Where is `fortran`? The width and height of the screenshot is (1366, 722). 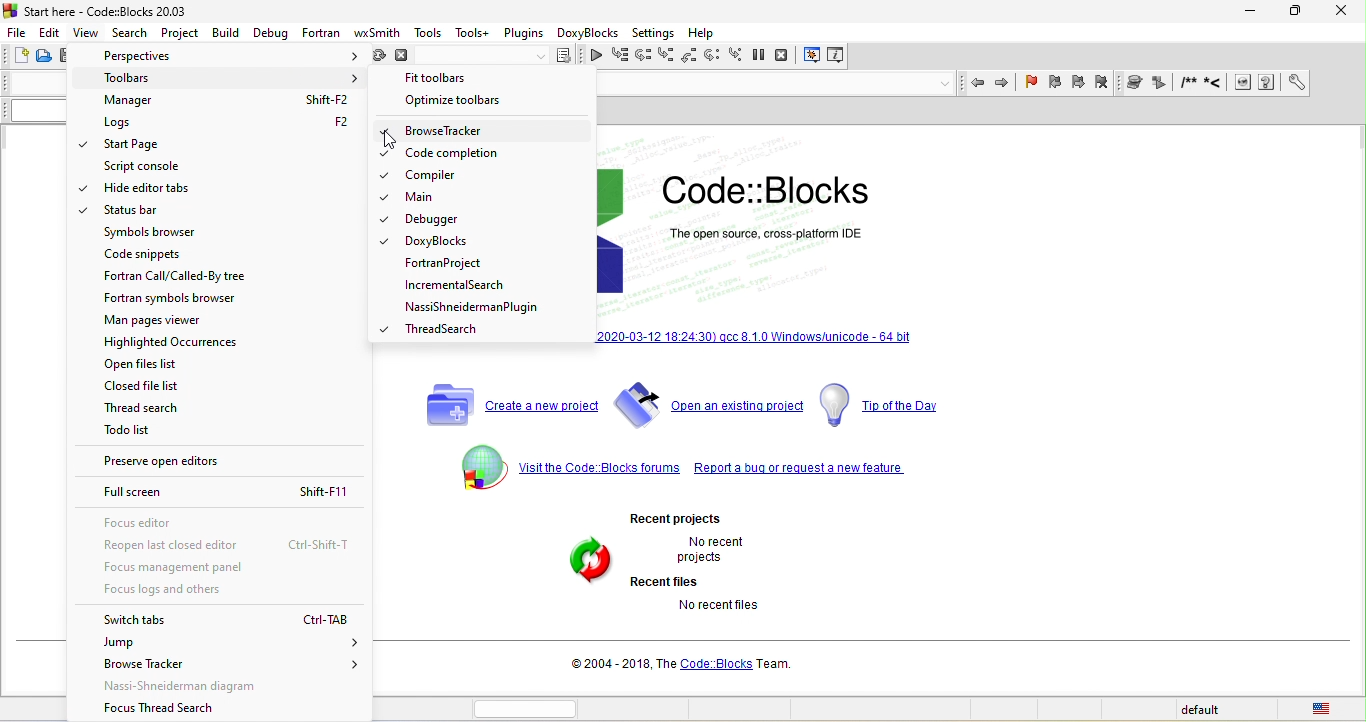 fortran is located at coordinates (317, 32).